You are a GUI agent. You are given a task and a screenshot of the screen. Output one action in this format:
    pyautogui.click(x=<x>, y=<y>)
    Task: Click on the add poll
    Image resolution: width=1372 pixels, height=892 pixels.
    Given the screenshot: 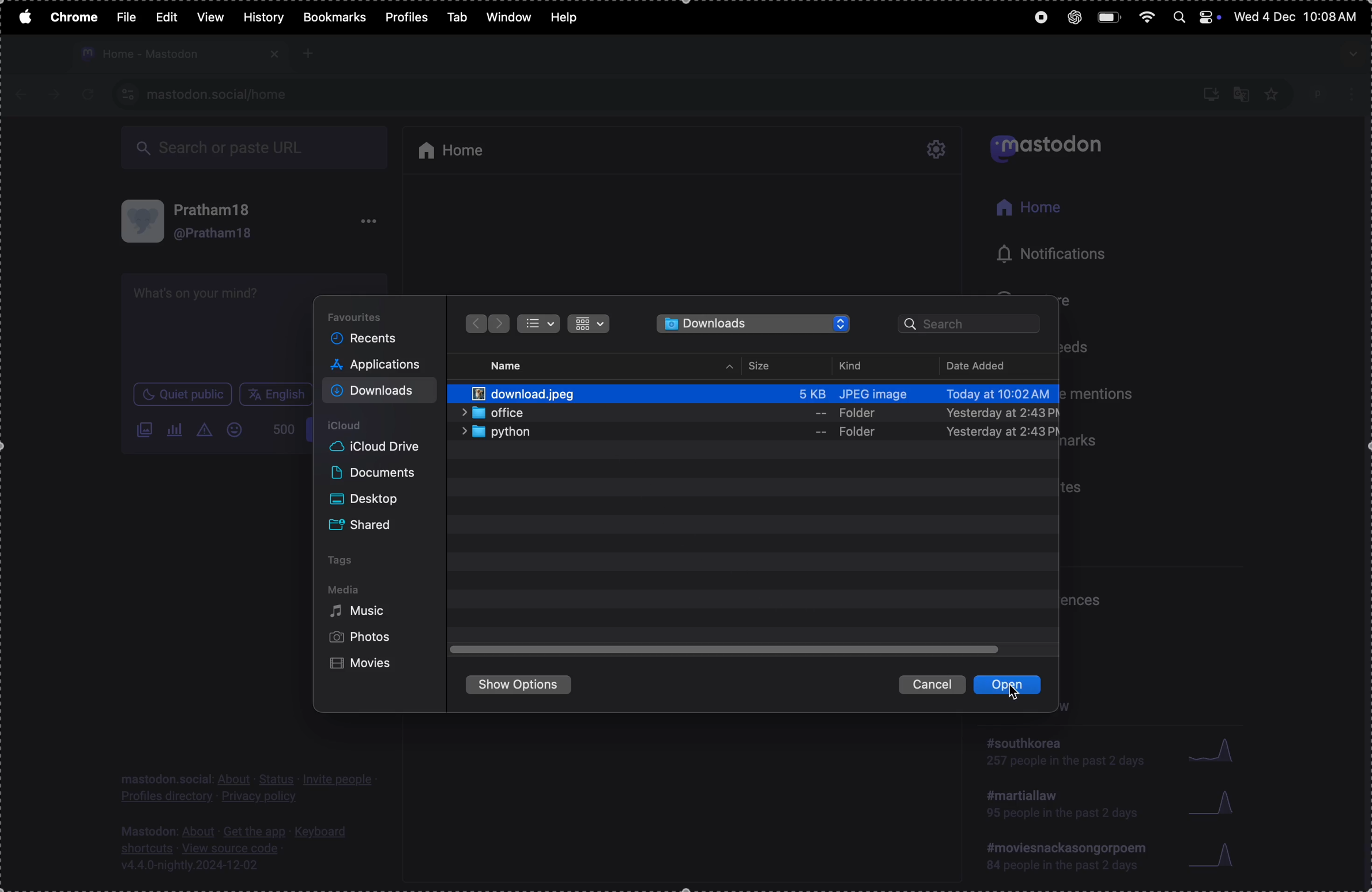 What is the action you would take?
    pyautogui.click(x=176, y=429)
    